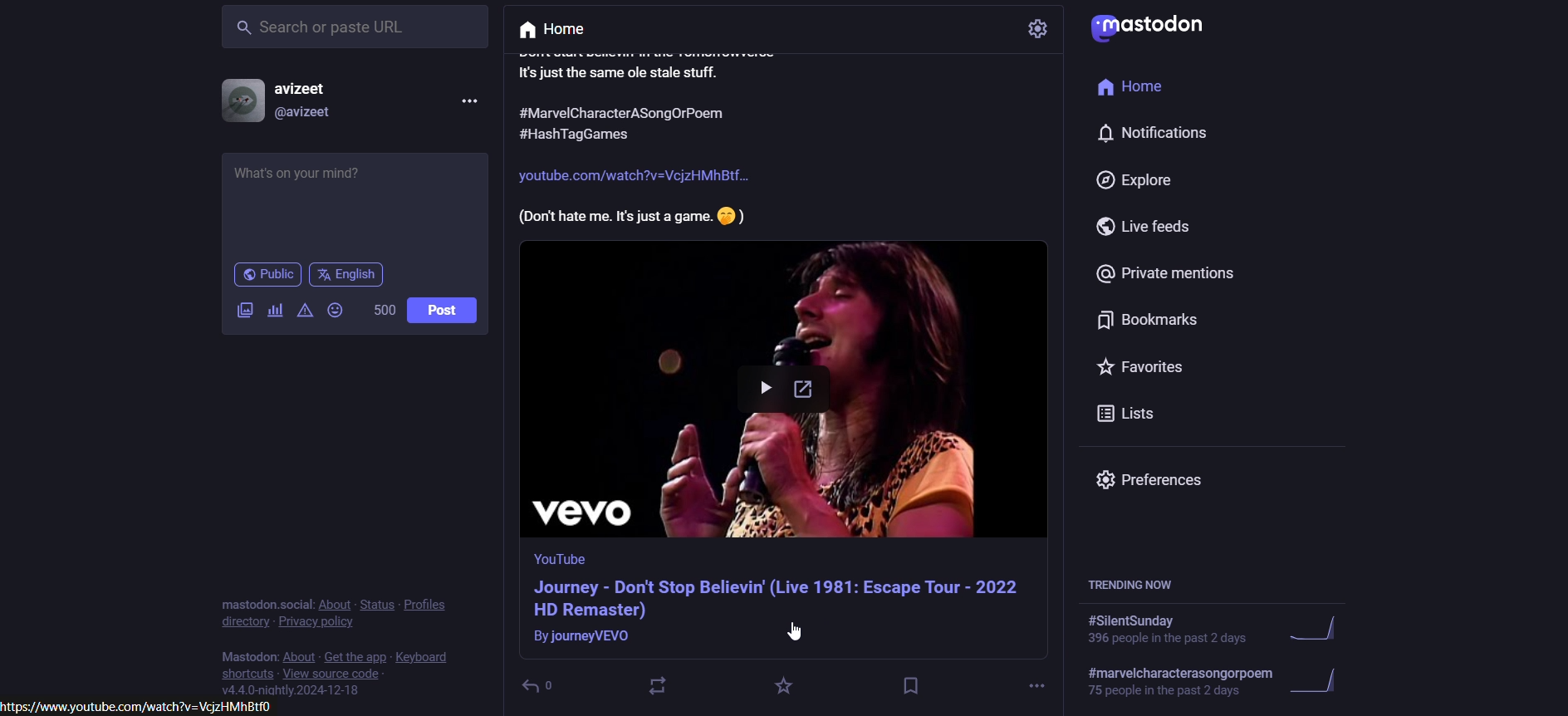  What do you see at coordinates (799, 631) in the screenshot?
I see `Cursor` at bounding box center [799, 631].